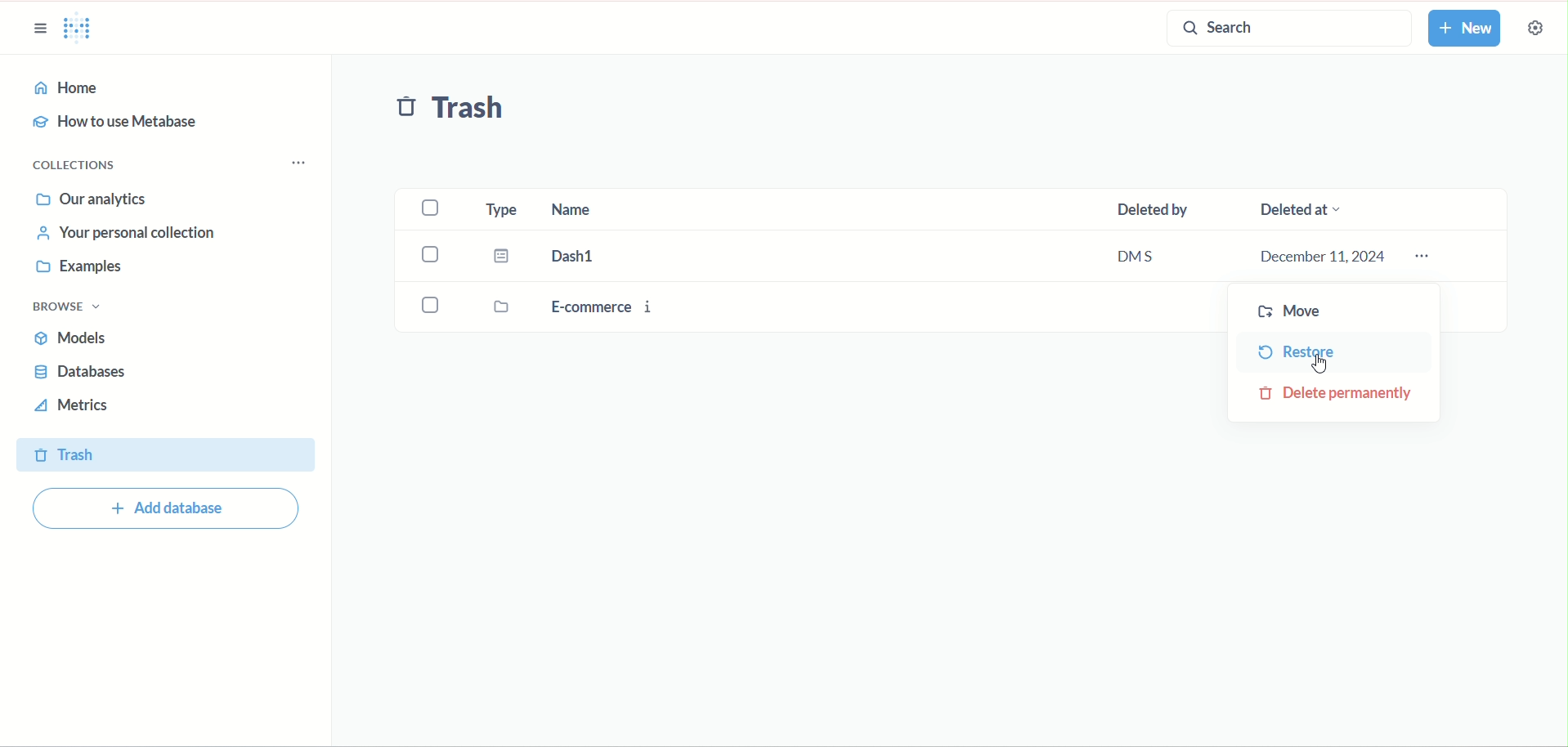  I want to click on Dash1, so click(589, 256).